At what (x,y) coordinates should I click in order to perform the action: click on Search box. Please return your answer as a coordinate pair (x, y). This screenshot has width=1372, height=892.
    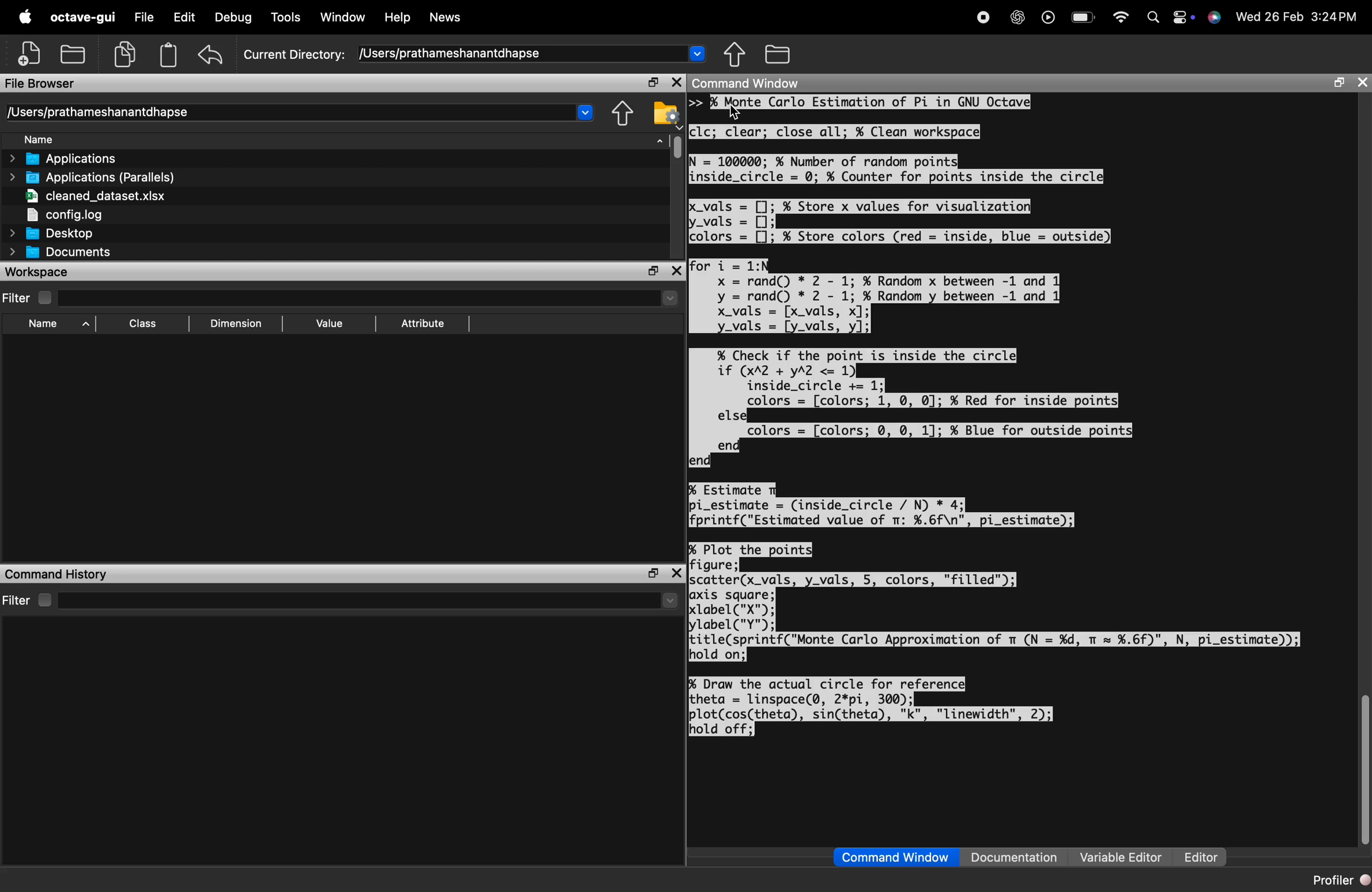
    Looking at the image, I should click on (355, 599).